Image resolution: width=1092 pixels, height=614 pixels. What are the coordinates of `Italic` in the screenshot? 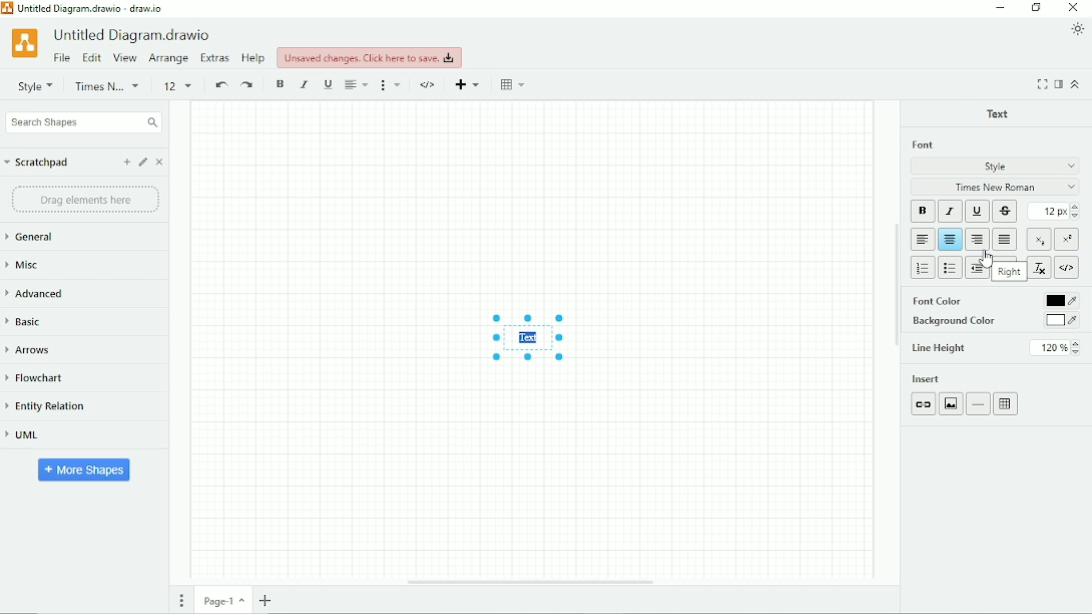 It's located at (950, 211).